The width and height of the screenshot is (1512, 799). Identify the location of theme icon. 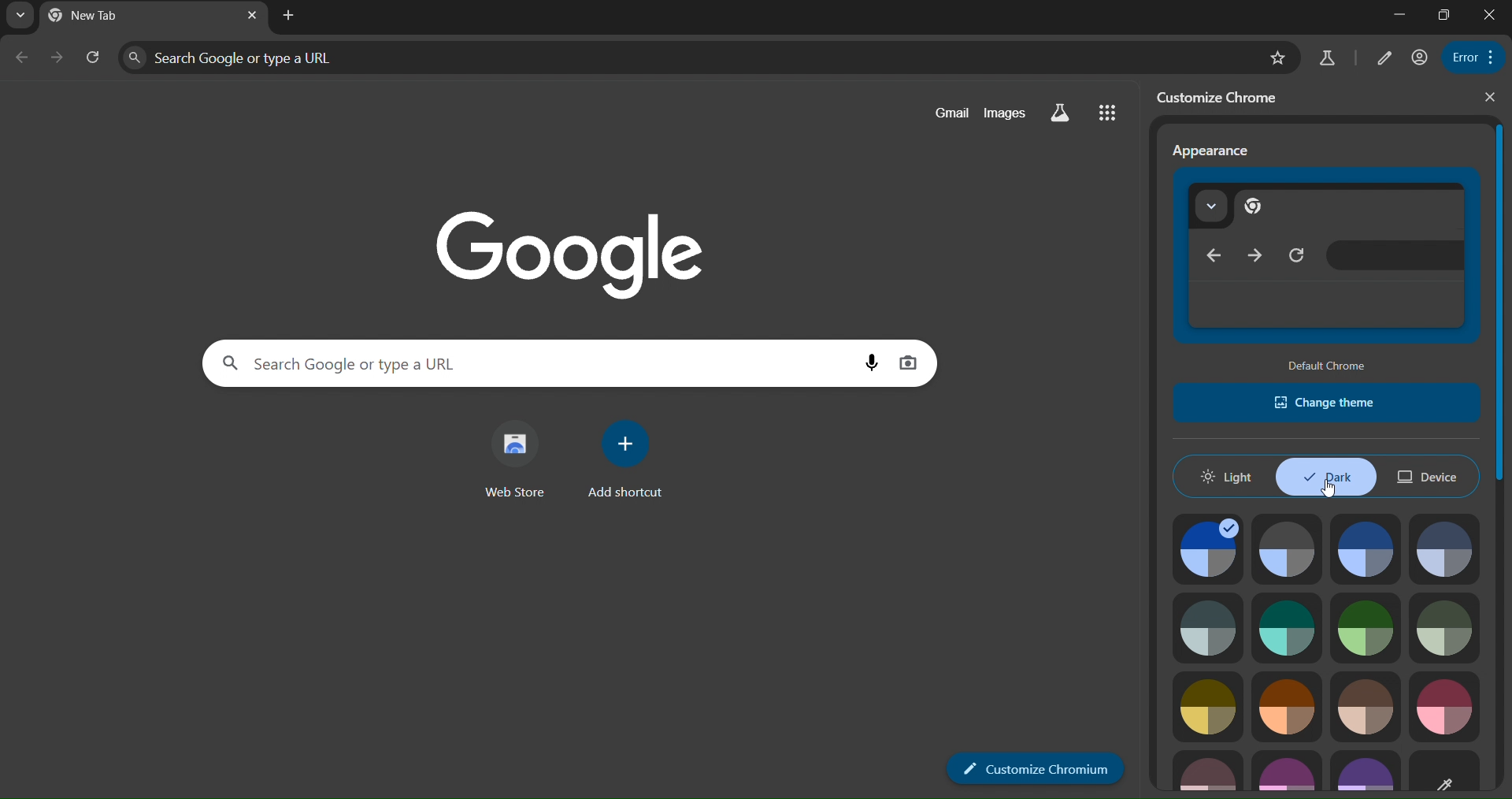
(1209, 551).